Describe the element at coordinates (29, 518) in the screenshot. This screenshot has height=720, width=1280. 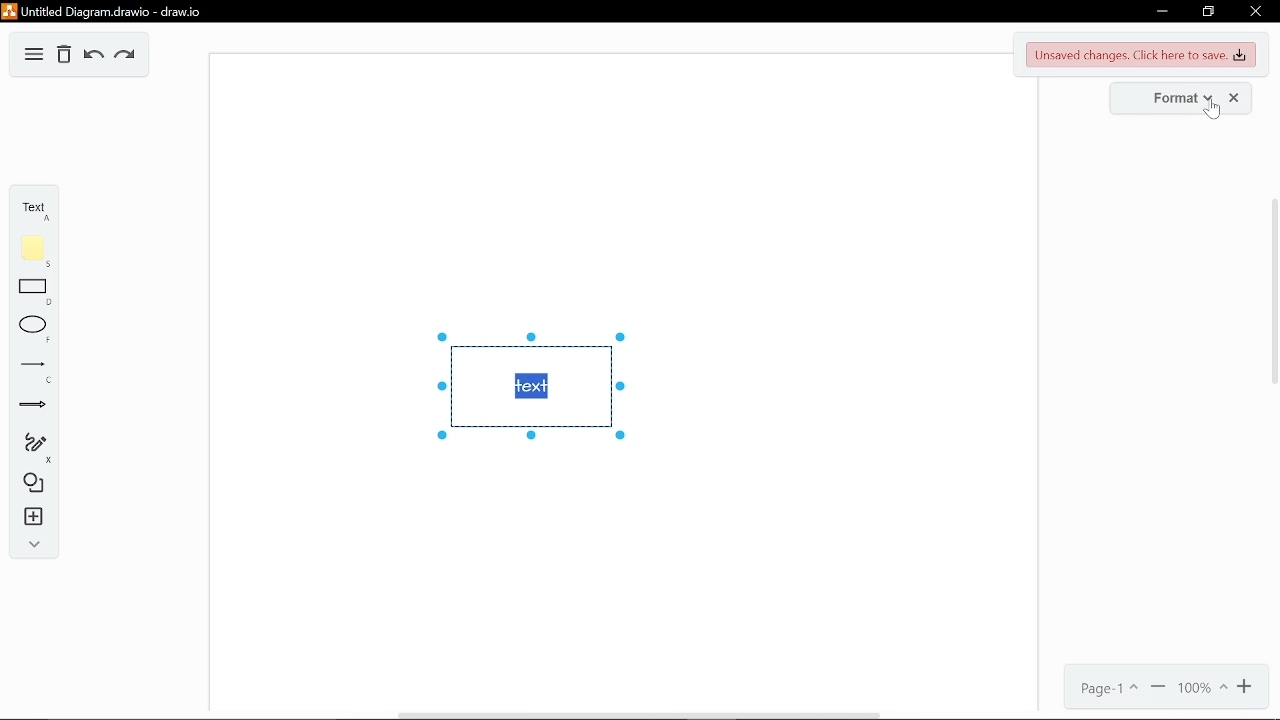
I see `insert` at that location.